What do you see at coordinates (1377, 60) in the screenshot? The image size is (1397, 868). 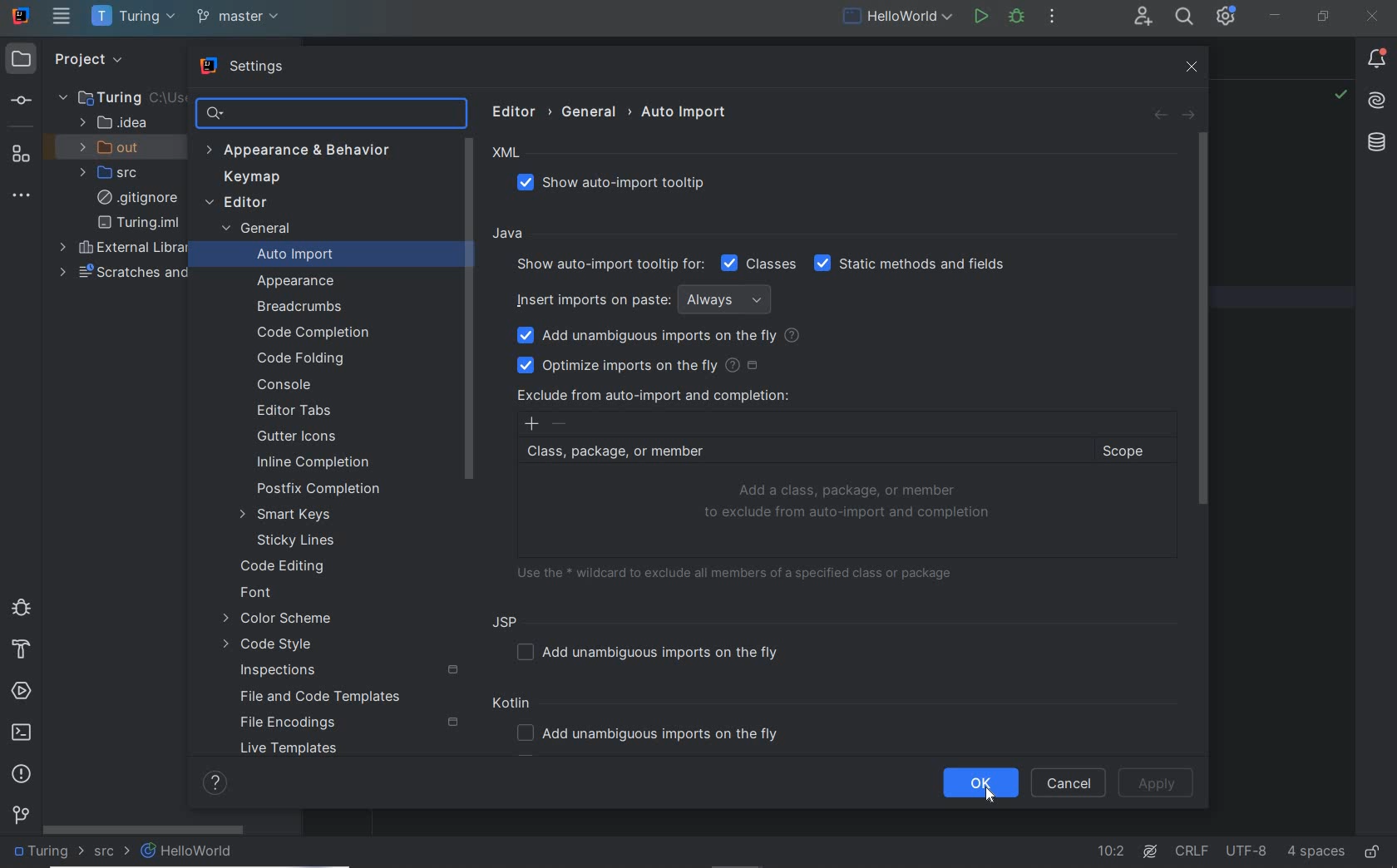 I see `NOTIFICATIONS` at bounding box center [1377, 60].